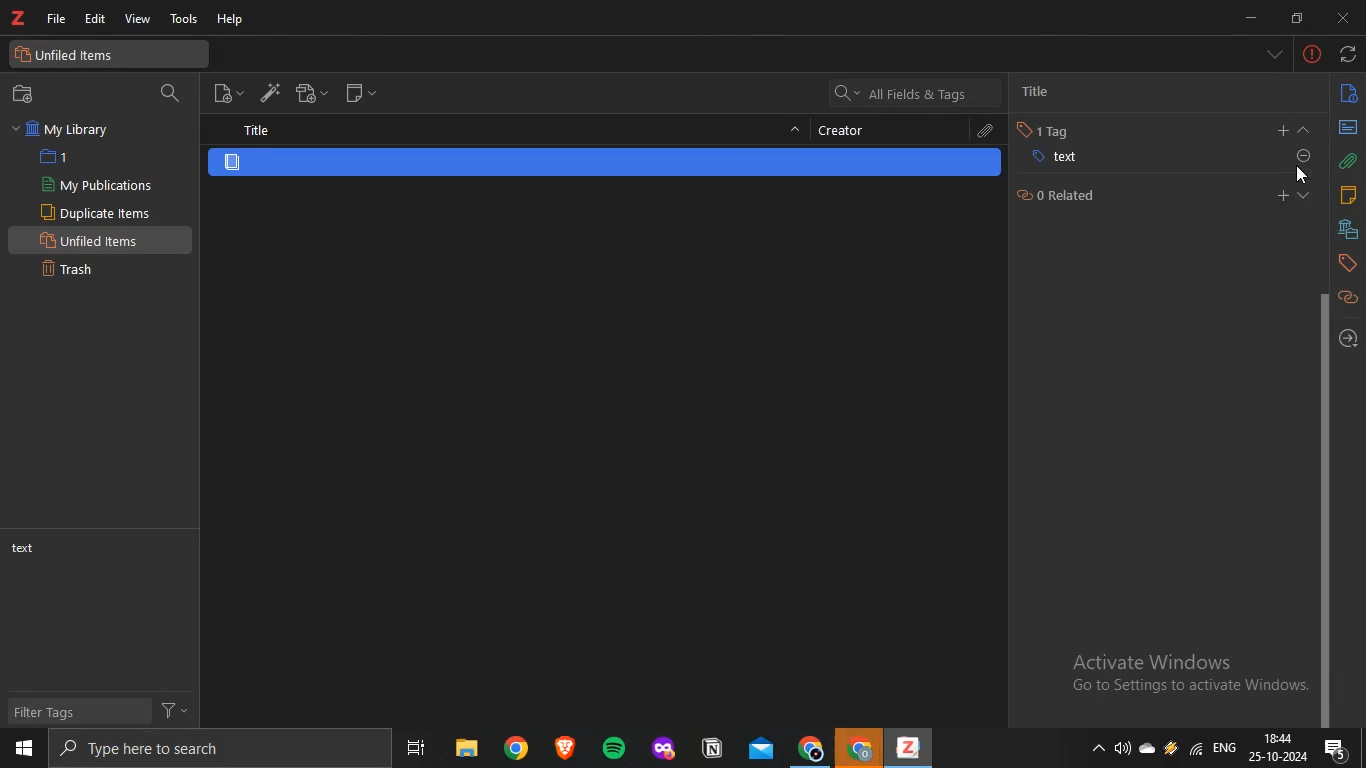 The width and height of the screenshot is (1366, 768). I want to click on new collection, so click(29, 93).